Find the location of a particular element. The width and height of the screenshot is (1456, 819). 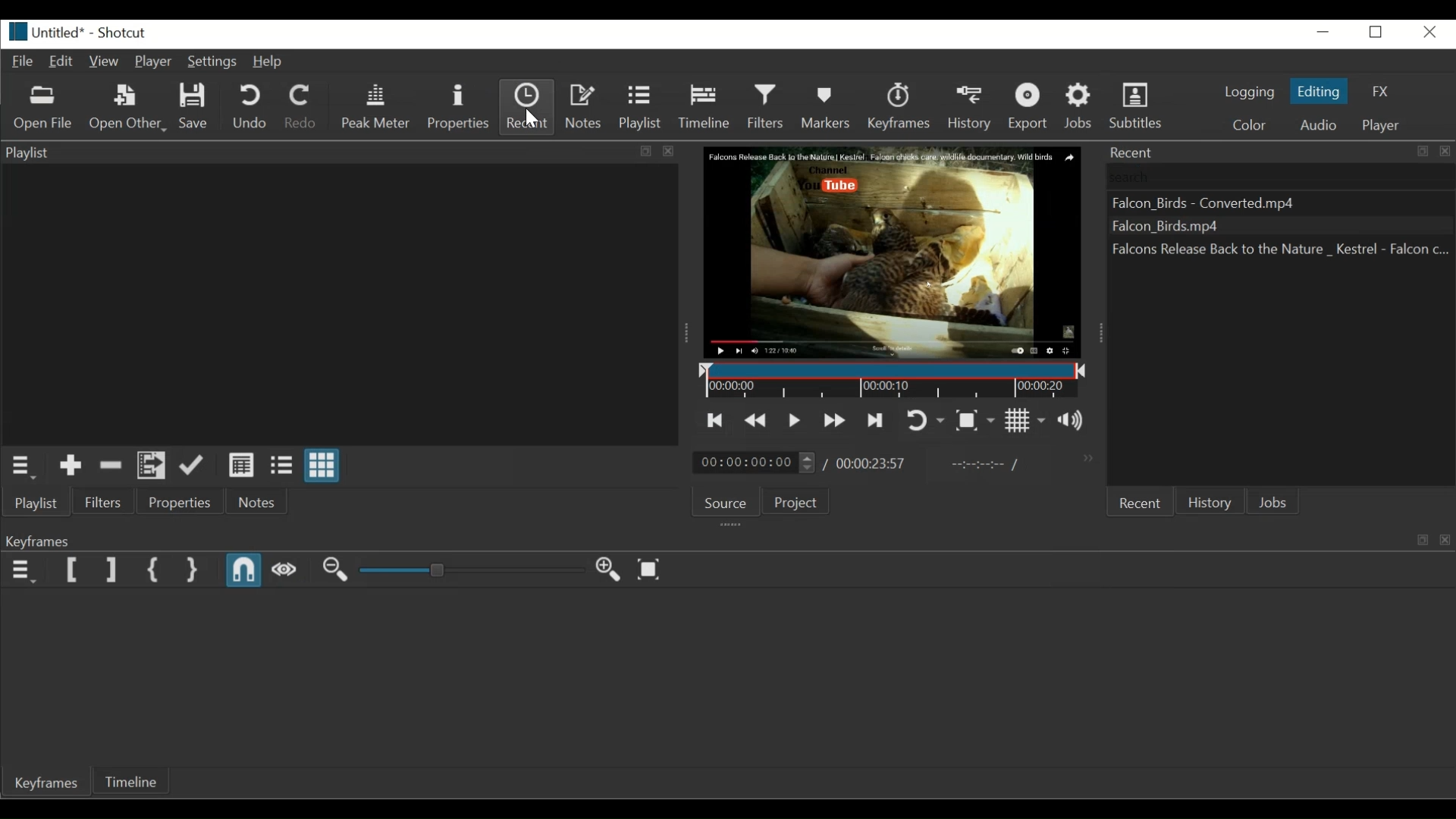

Fle Name is located at coordinates (1277, 250).